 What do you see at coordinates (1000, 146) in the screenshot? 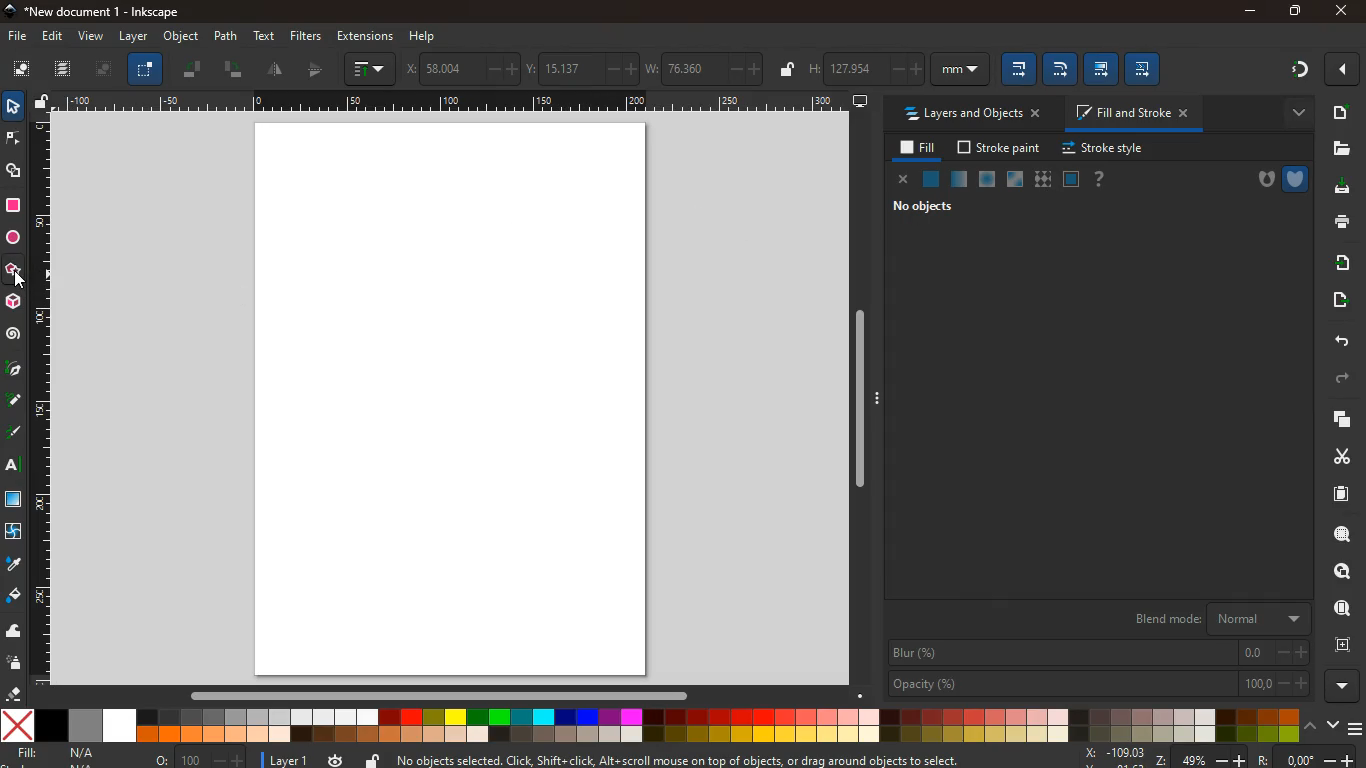
I see `stroke paint` at bounding box center [1000, 146].